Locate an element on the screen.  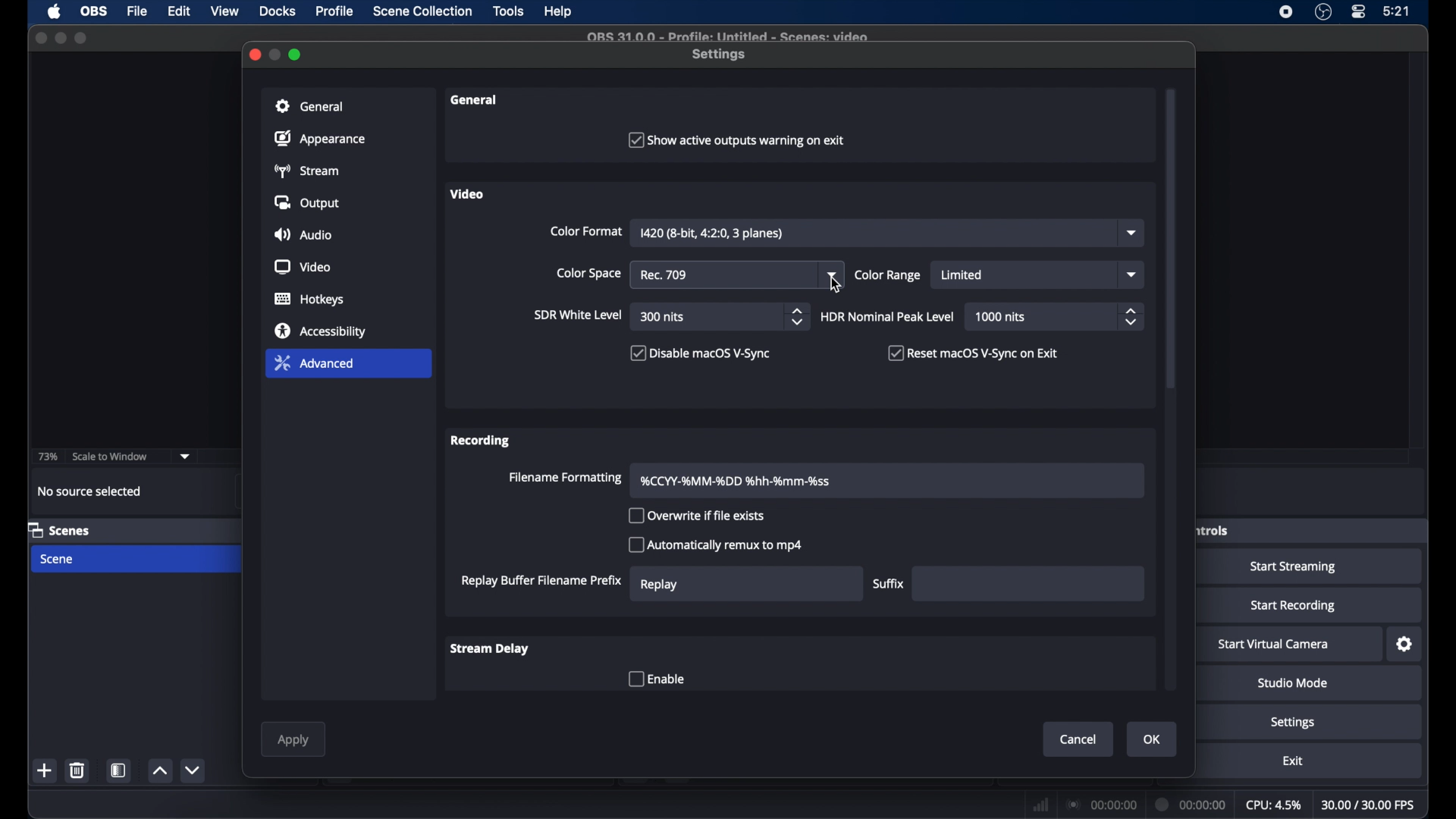
automatically remux to mp4 is located at coordinates (716, 544).